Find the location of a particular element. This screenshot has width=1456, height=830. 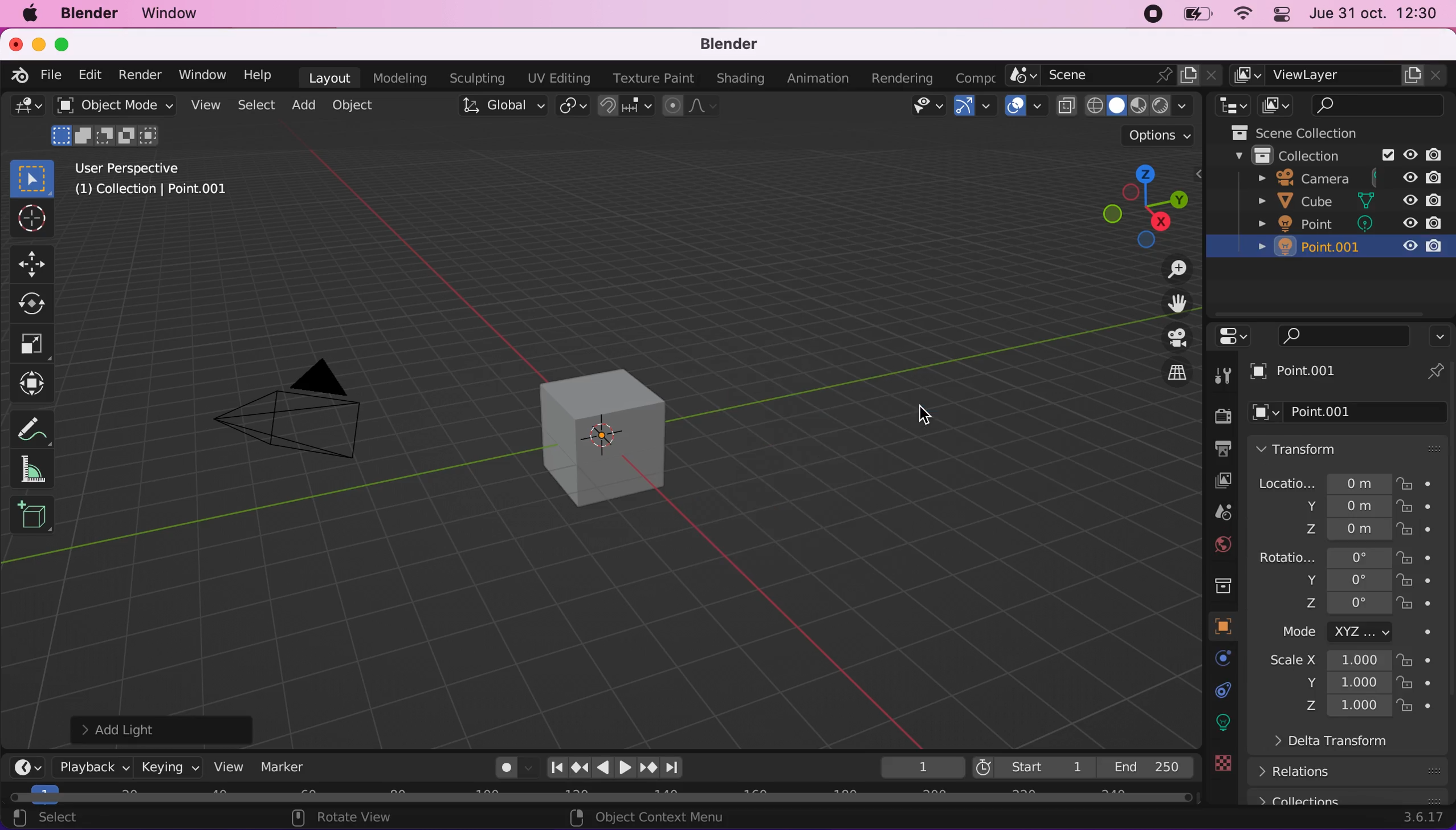

overlays is located at coordinates (1026, 109).